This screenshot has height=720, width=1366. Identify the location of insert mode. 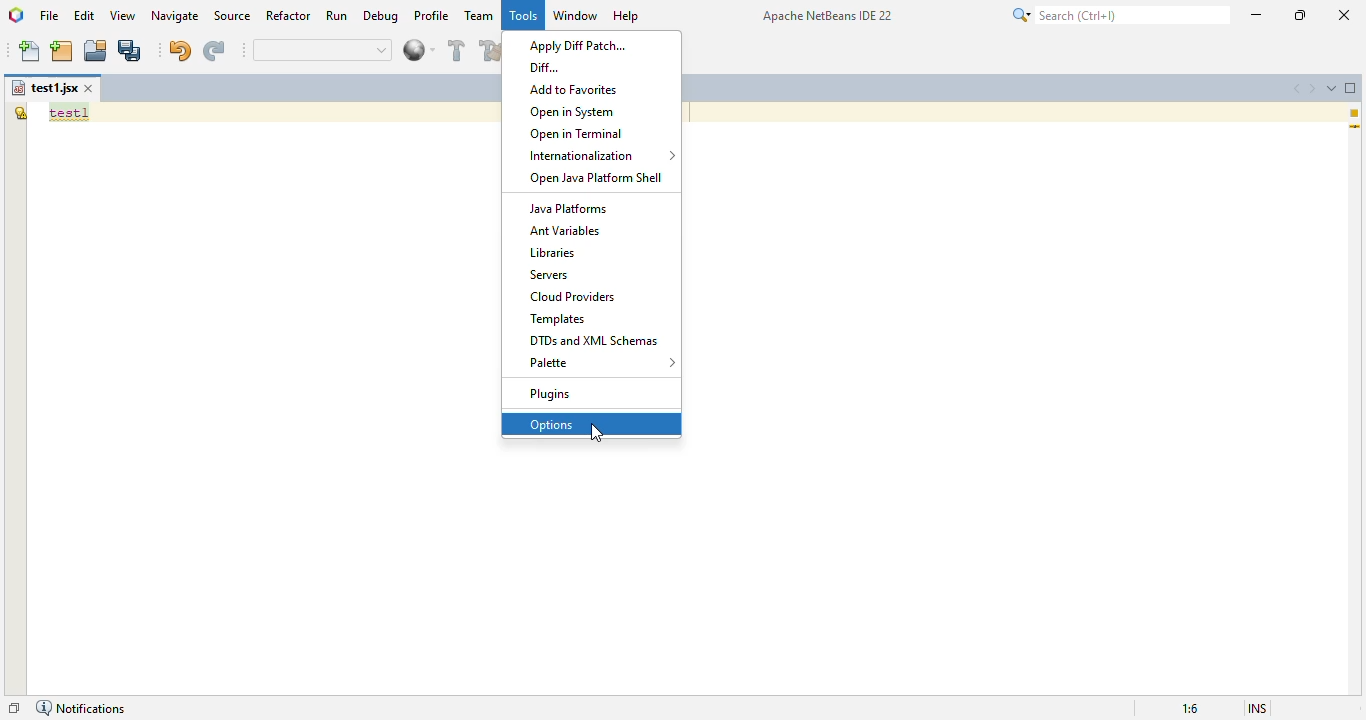
(1258, 709).